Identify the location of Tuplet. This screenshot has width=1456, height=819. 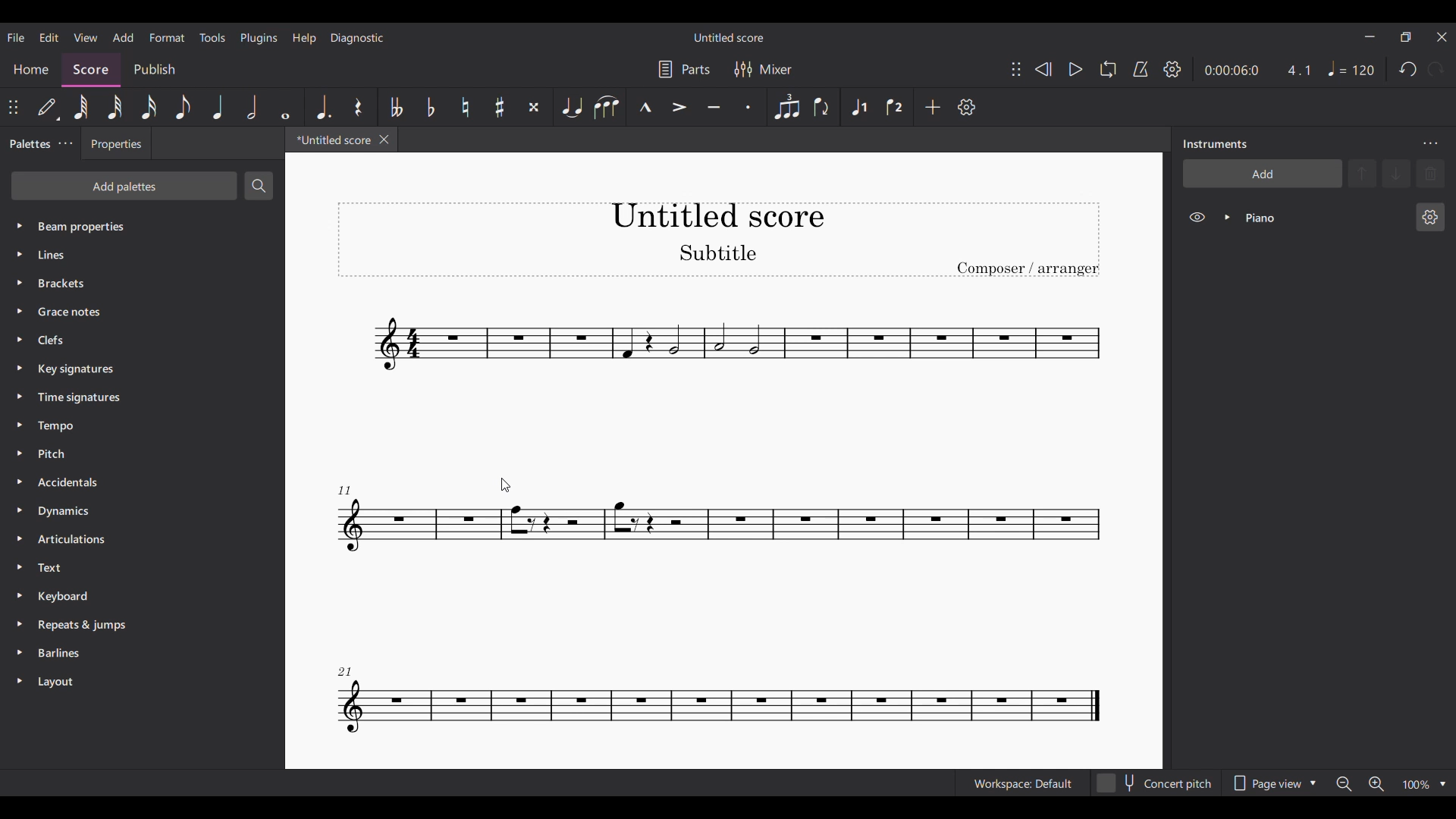
(787, 107).